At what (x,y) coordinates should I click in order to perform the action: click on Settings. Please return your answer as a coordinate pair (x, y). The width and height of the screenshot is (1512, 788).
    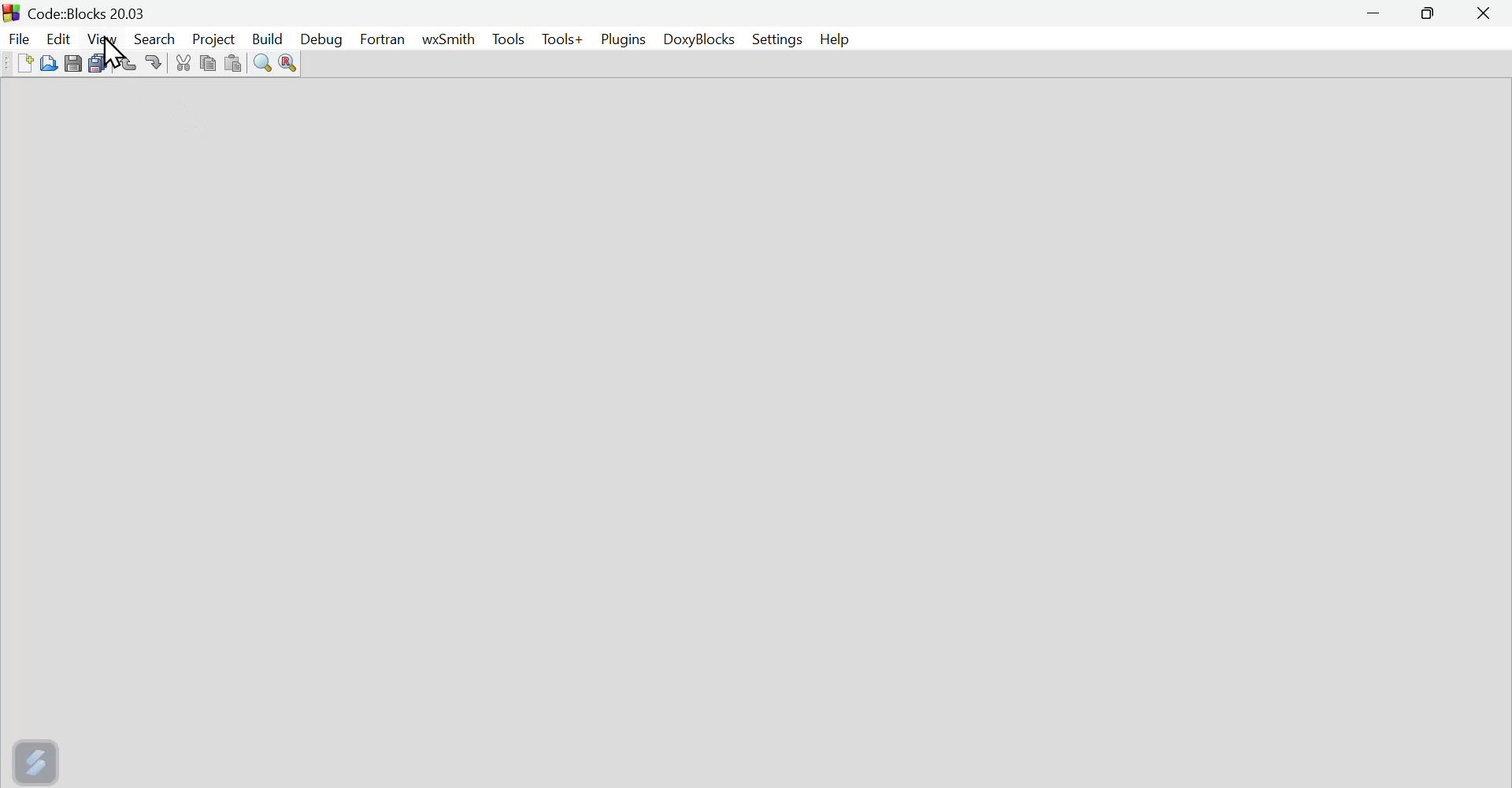
    Looking at the image, I should click on (774, 39).